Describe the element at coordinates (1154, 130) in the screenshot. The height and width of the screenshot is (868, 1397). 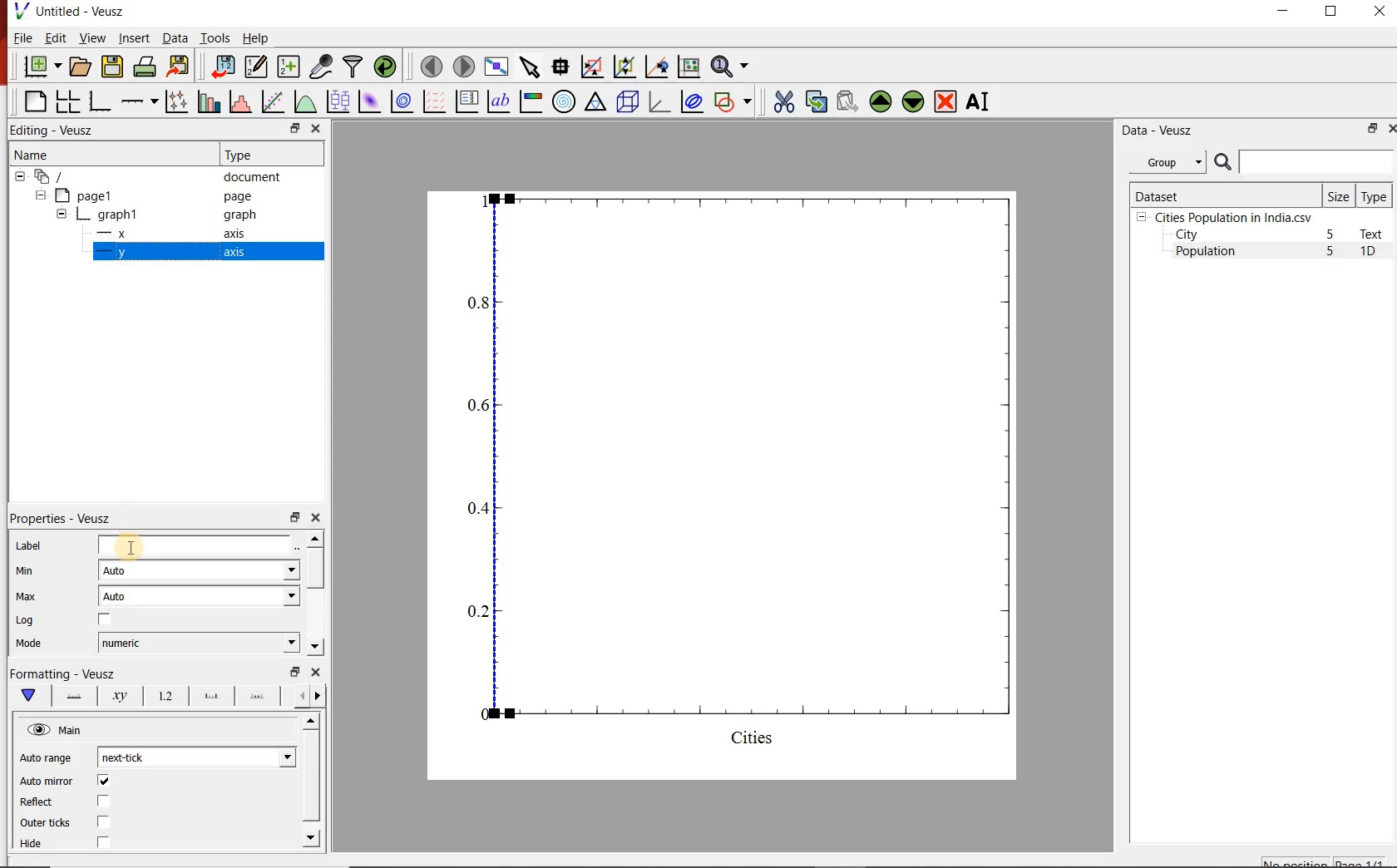
I see `Data - Veusz` at that location.